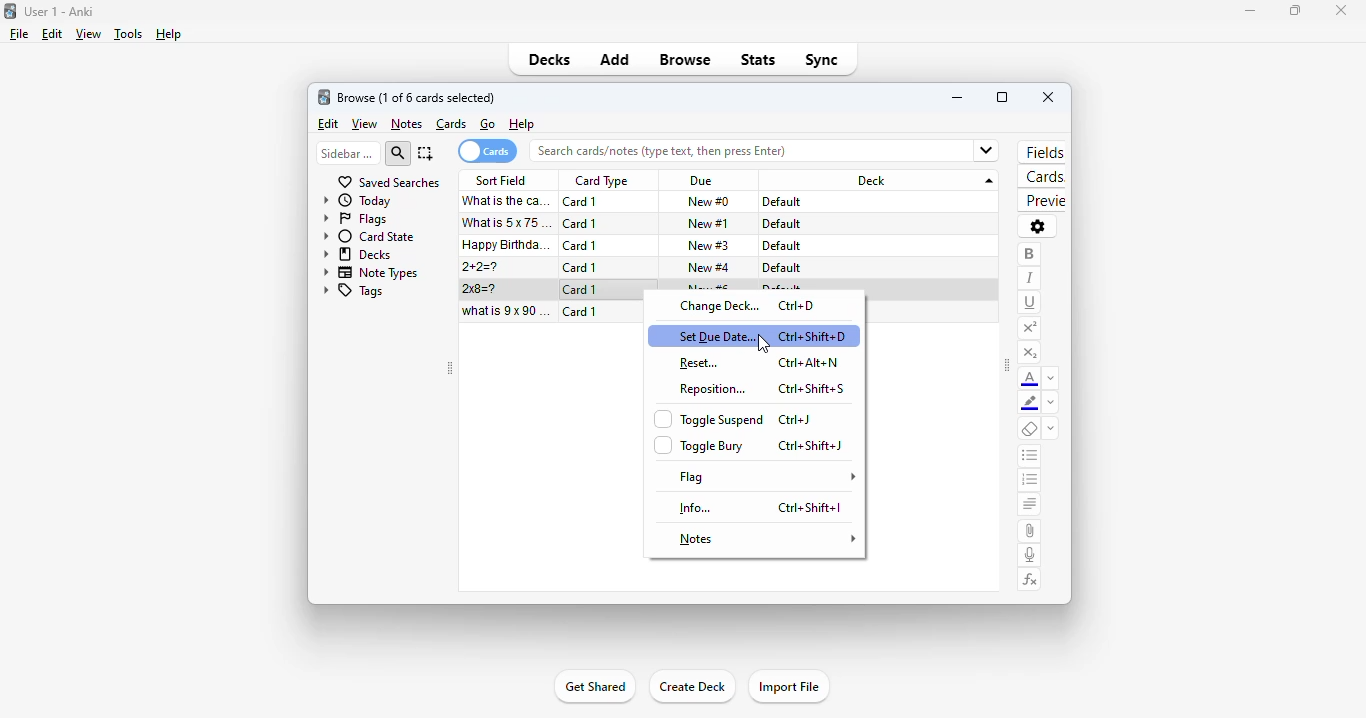 This screenshot has width=1366, height=718. What do you see at coordinates (1042, 178) in the screenshot?
I see `cards` at bounding box center [1042, 178].